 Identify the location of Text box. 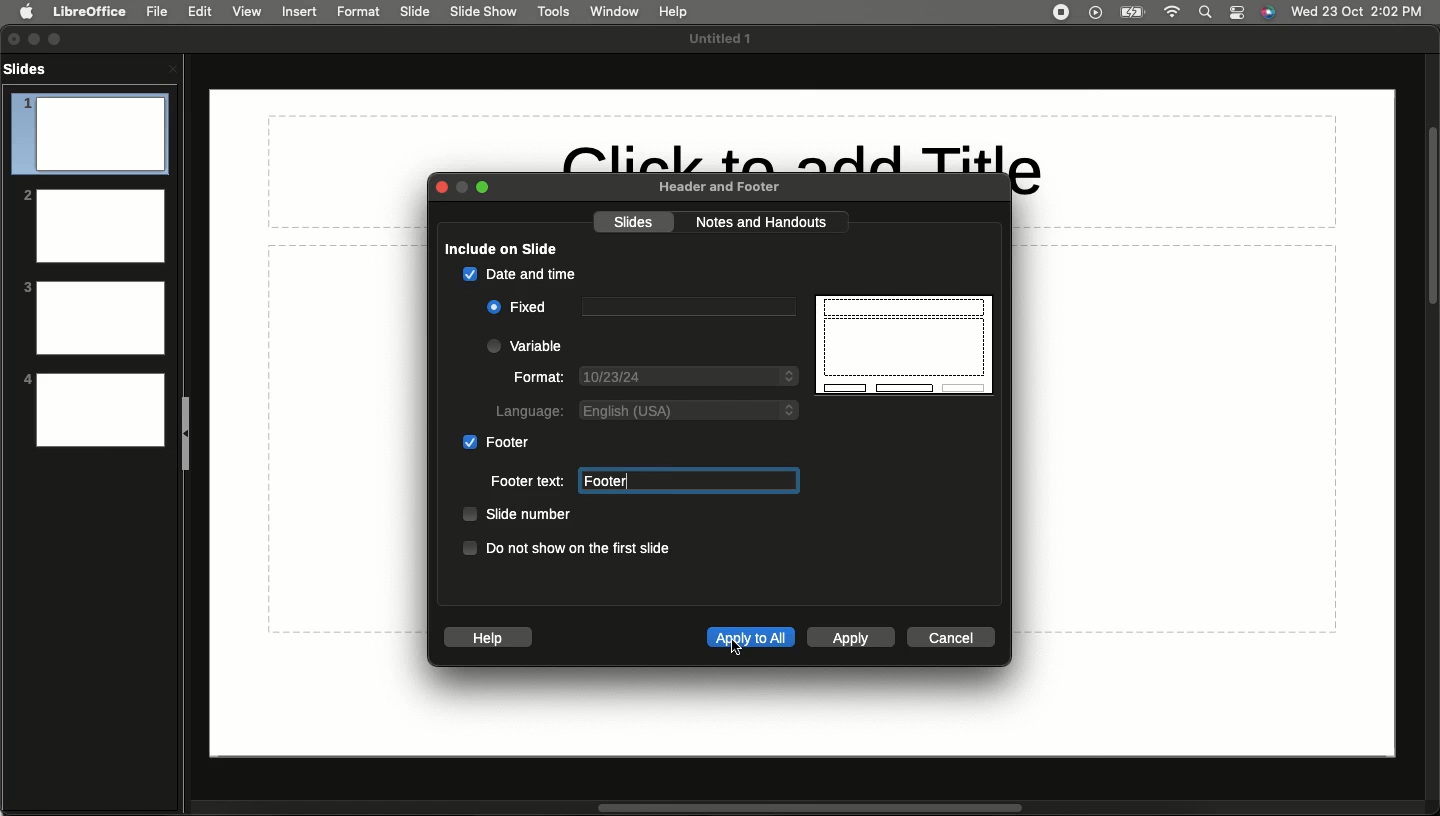
(685, 480).